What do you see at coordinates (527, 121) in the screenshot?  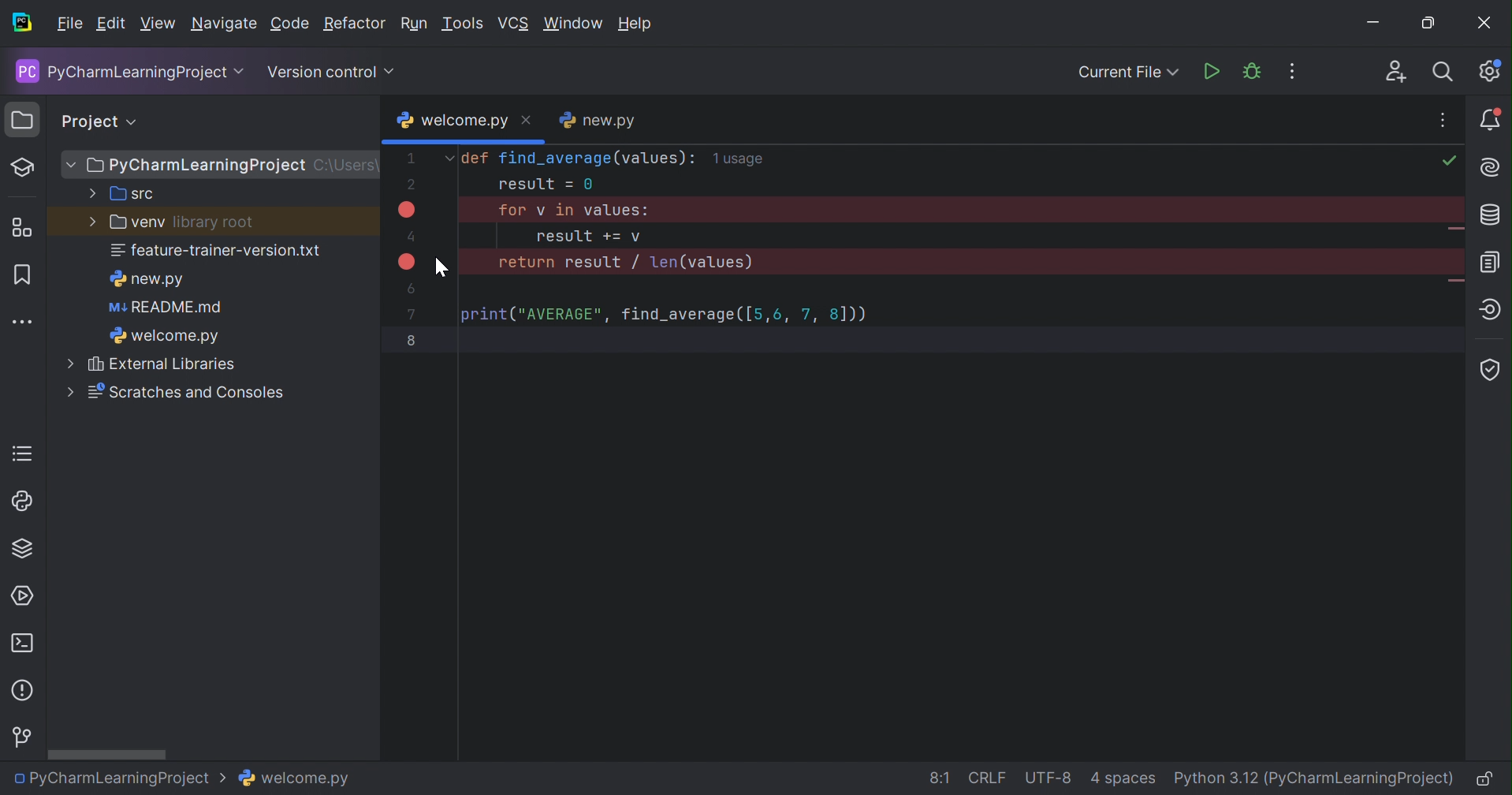 I see `Close` at bounding box center [527, 121].